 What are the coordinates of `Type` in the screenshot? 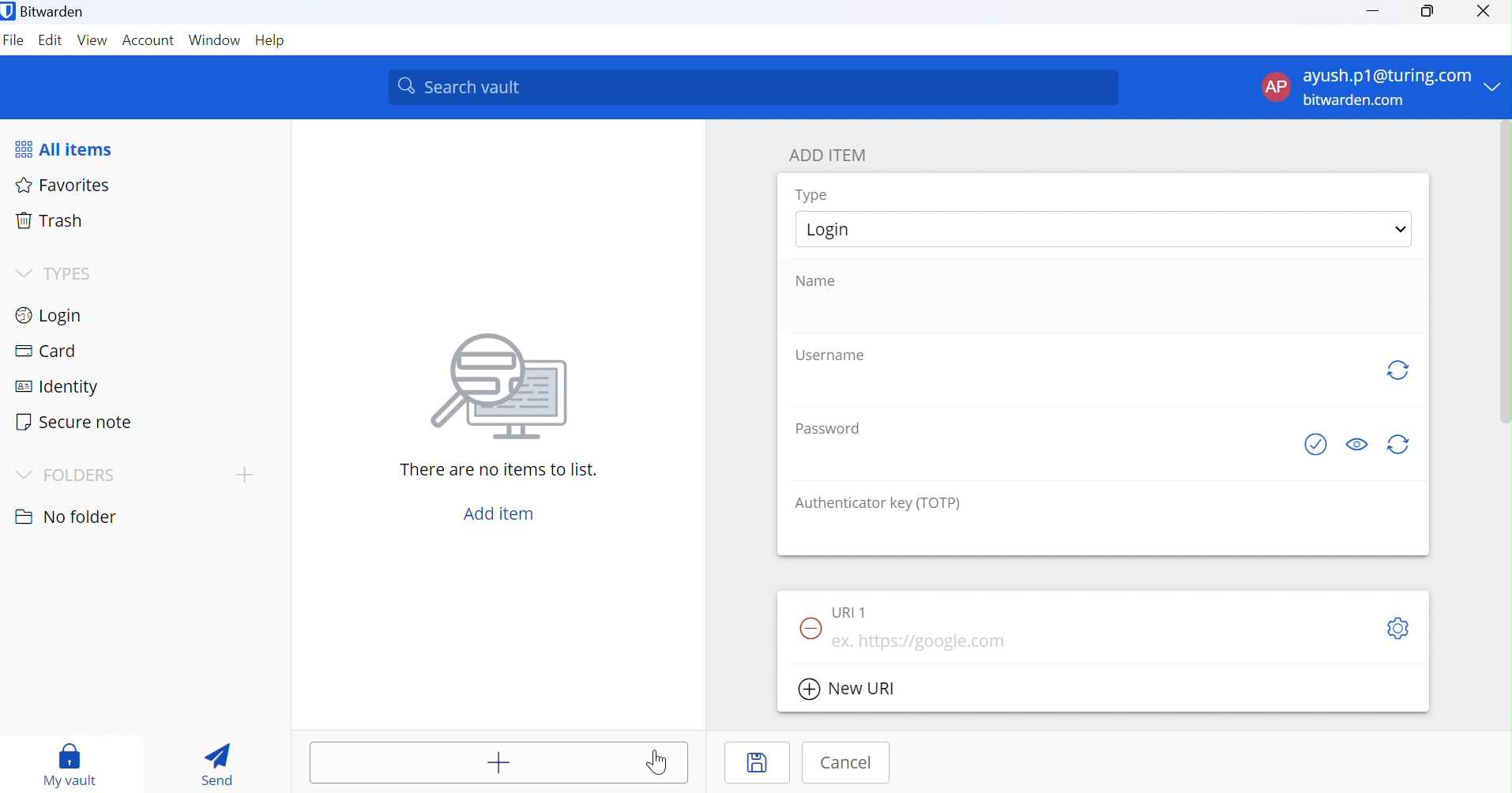 It's located at (812, 194).